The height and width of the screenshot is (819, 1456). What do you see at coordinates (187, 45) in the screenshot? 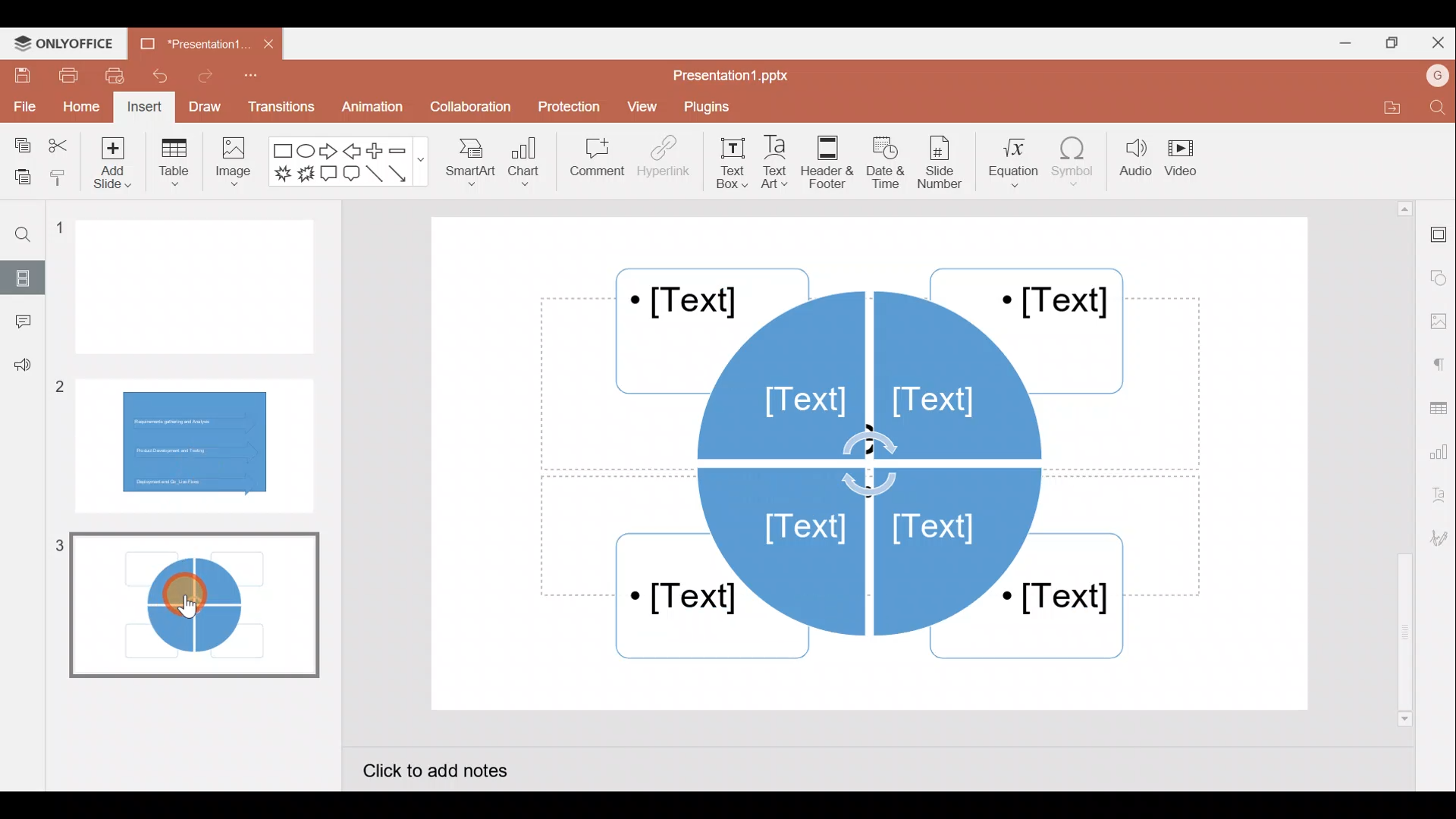
I see `Presentation1.` at bounding box center [187, 45].